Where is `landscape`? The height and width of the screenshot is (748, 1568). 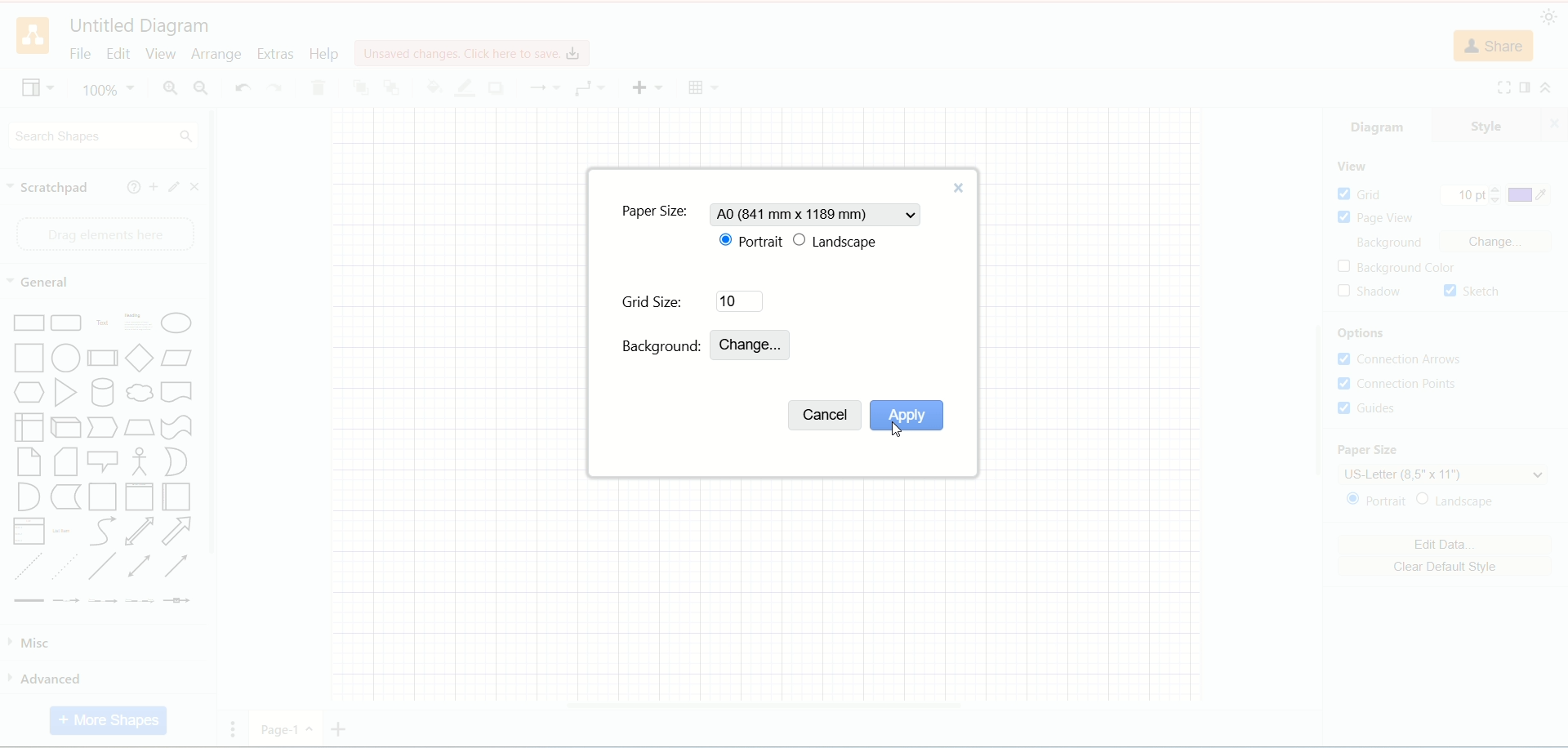 landscape is located at coordinates (1468, 501).